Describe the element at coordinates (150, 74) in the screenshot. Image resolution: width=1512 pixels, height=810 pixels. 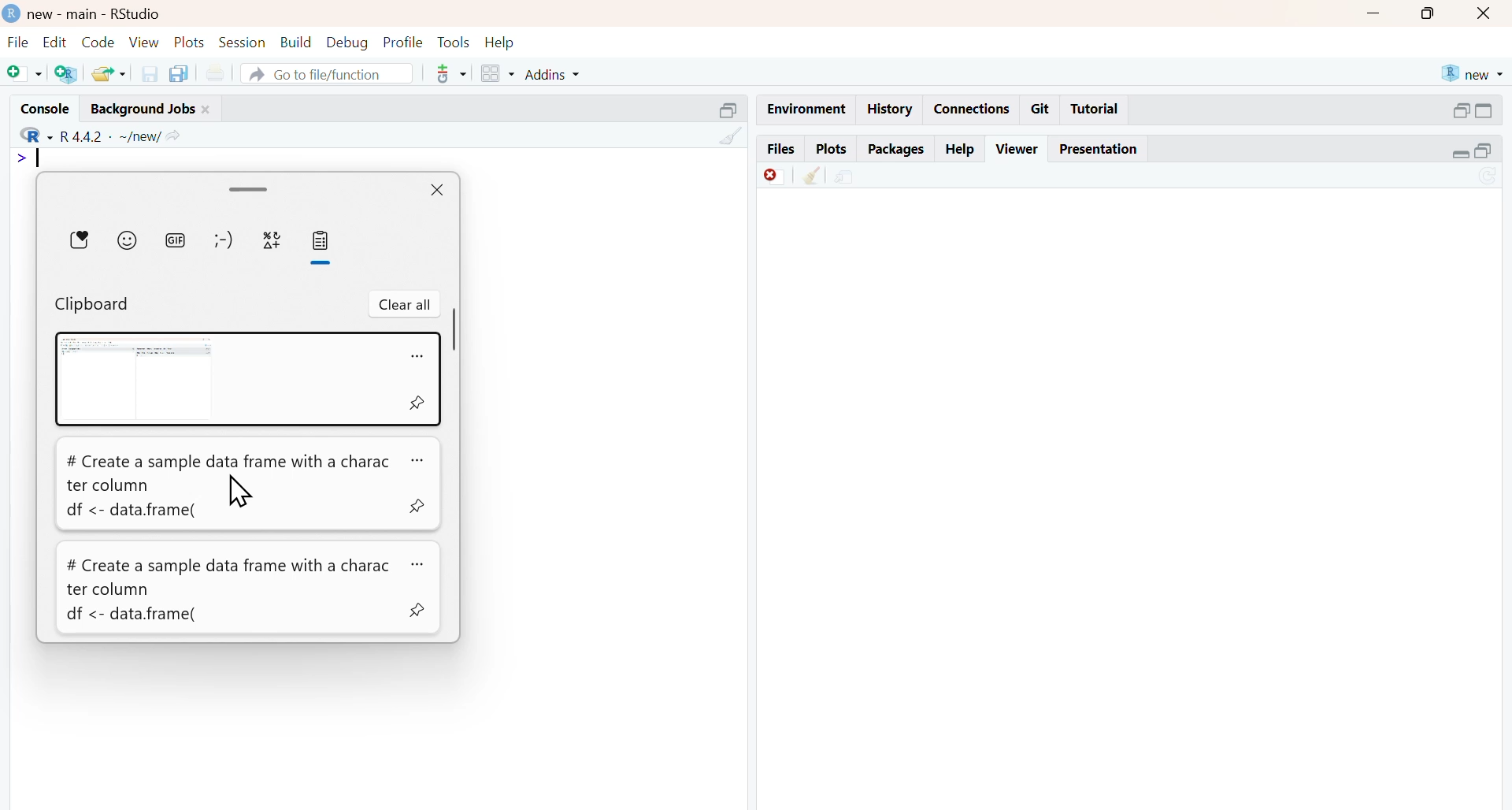
I see `save` at that location.